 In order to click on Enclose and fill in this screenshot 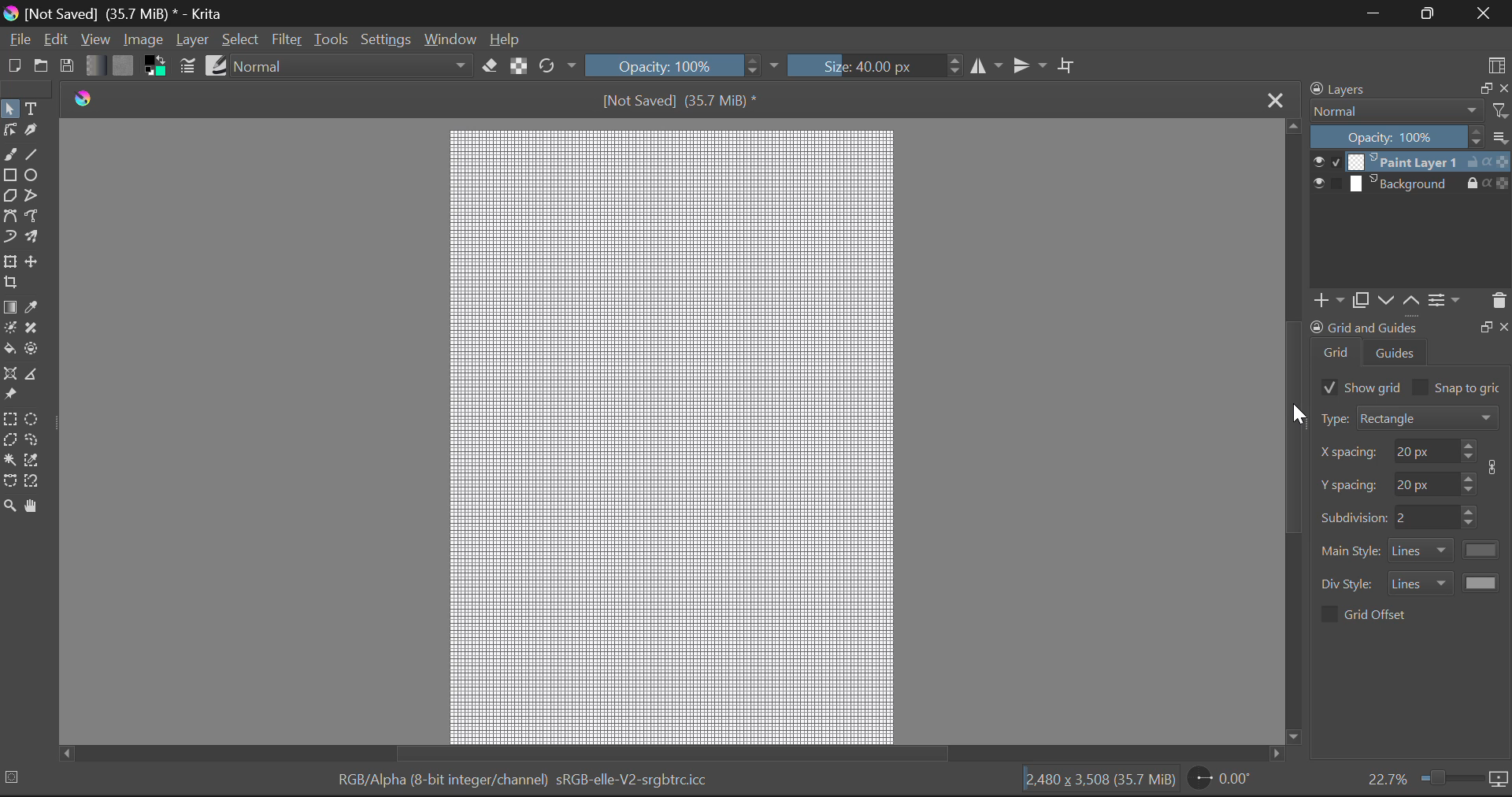, I will do `click(34, 350)`.